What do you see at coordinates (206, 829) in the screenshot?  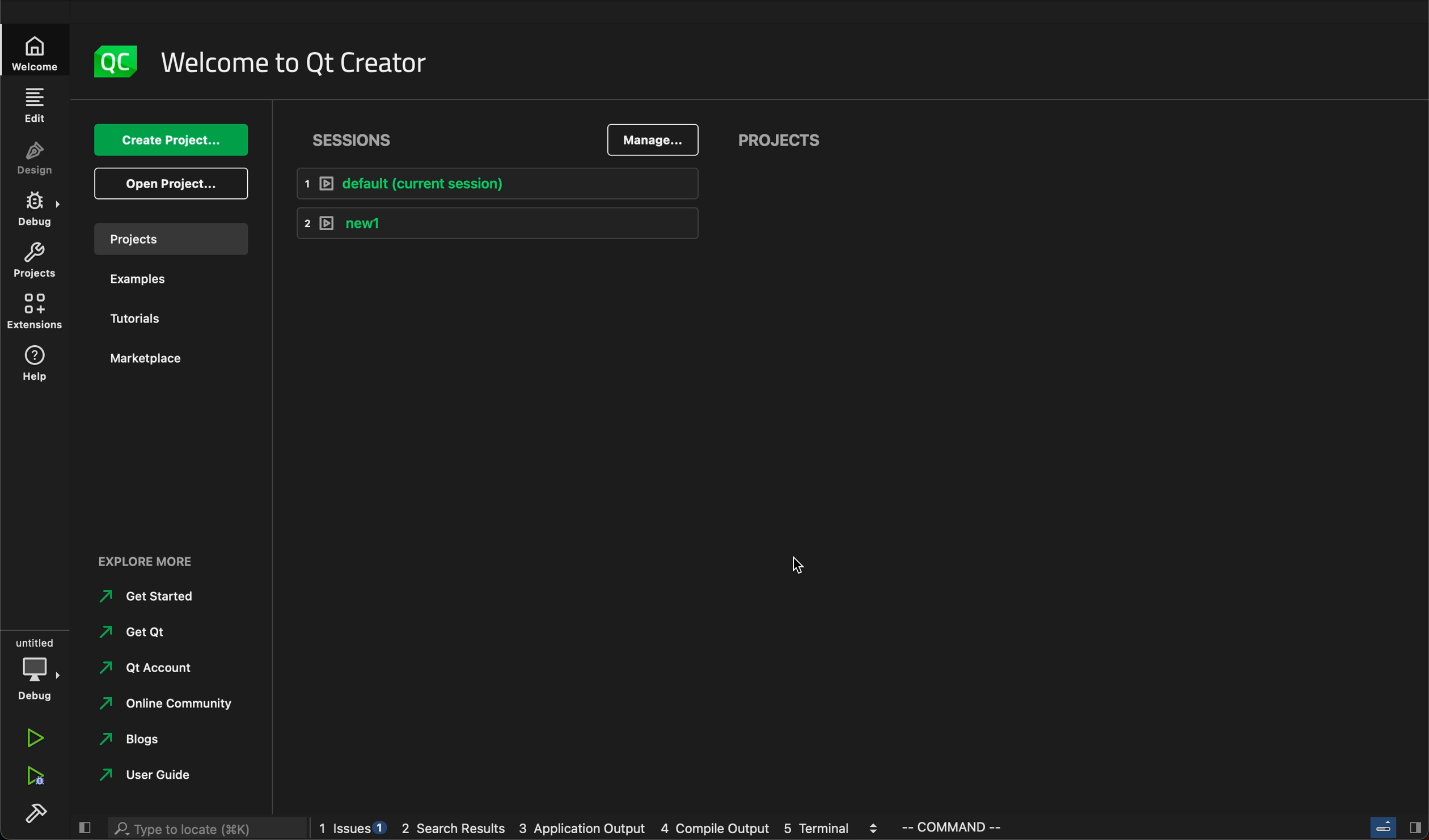 I see `search bar` at bounding box center [206, 829].